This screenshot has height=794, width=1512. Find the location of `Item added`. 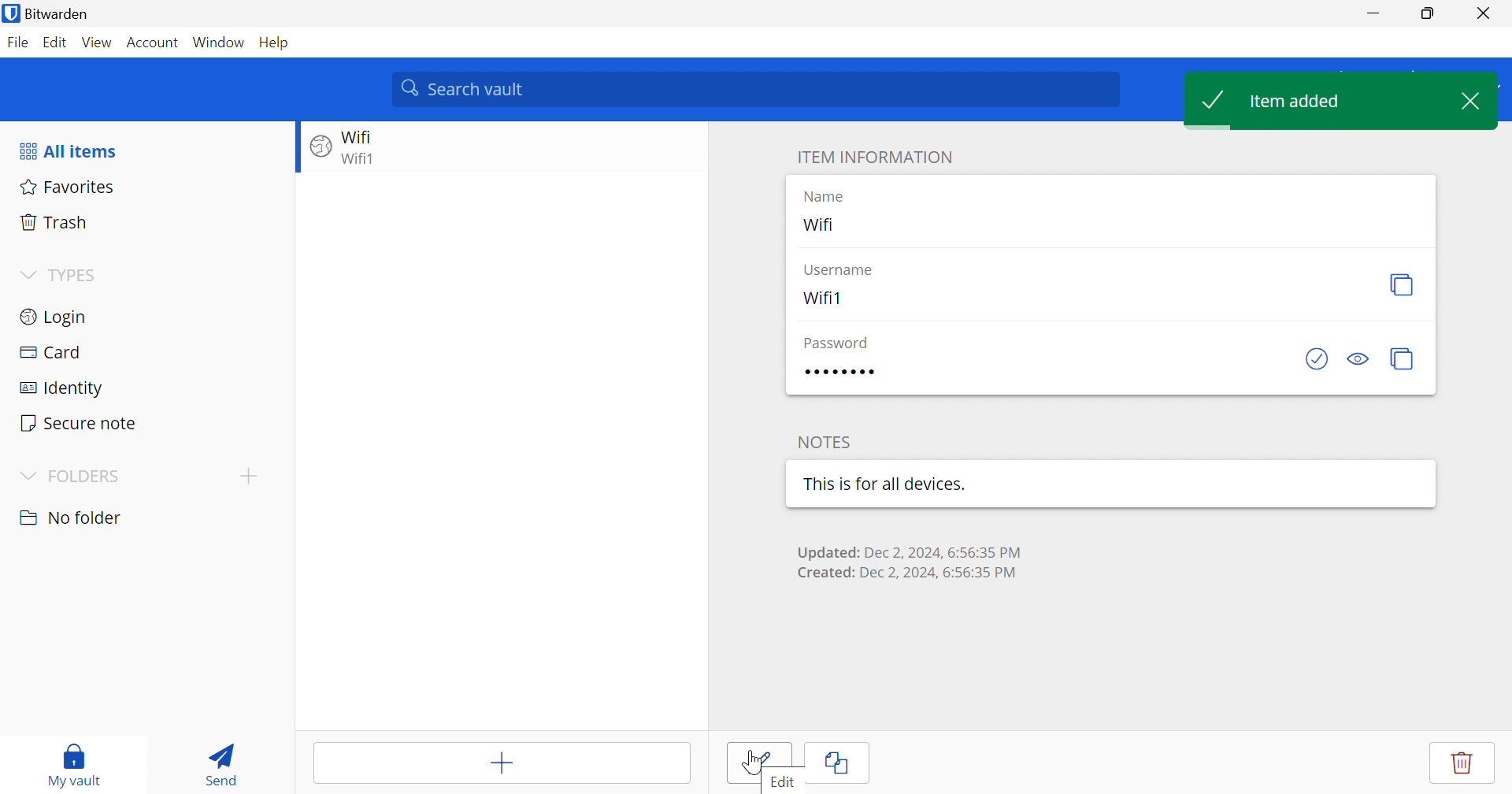

Item added is located at coordinates (1312, 100).